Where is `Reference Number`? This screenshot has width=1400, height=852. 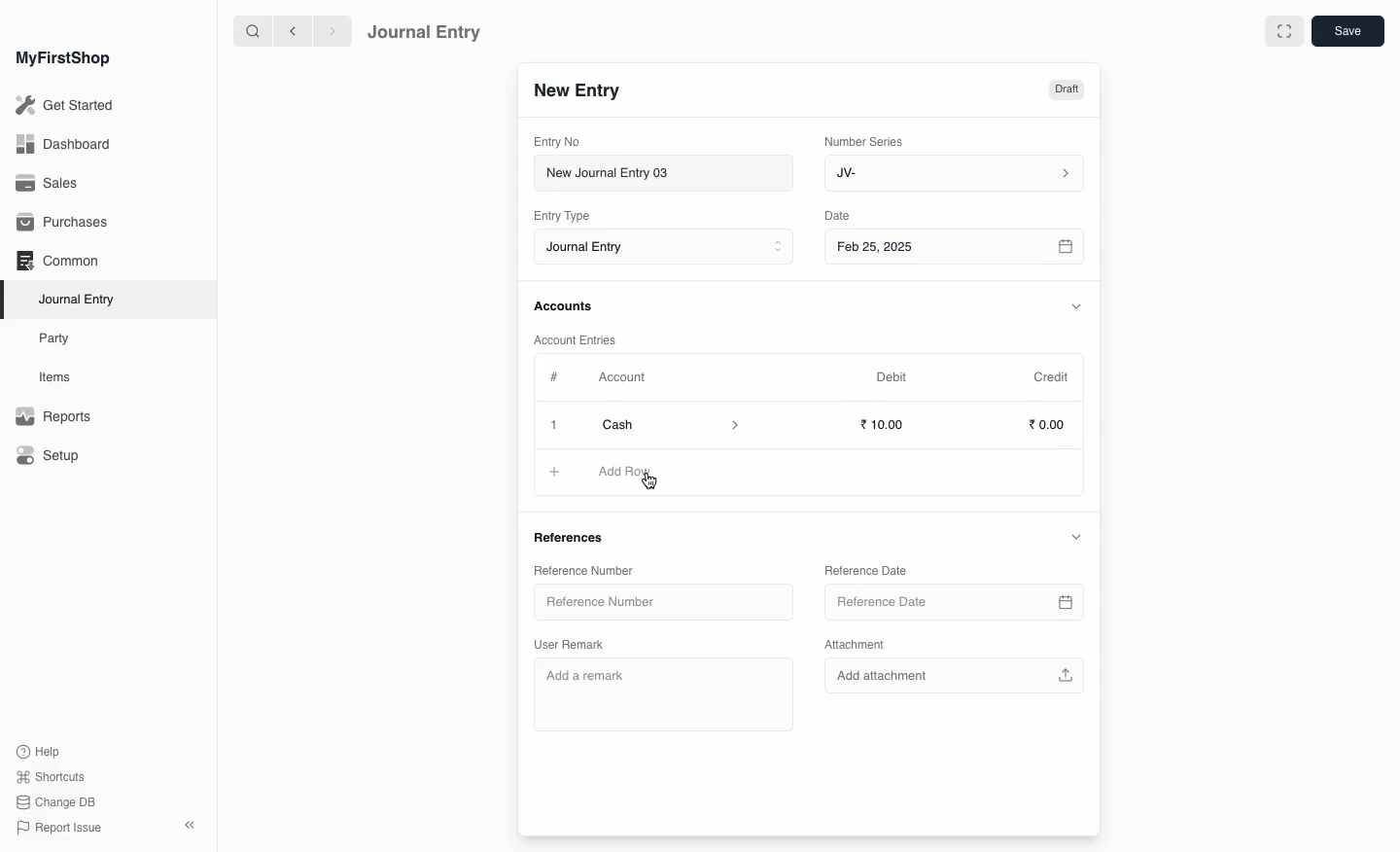 Reference Number is located at coordinates (663, 602).